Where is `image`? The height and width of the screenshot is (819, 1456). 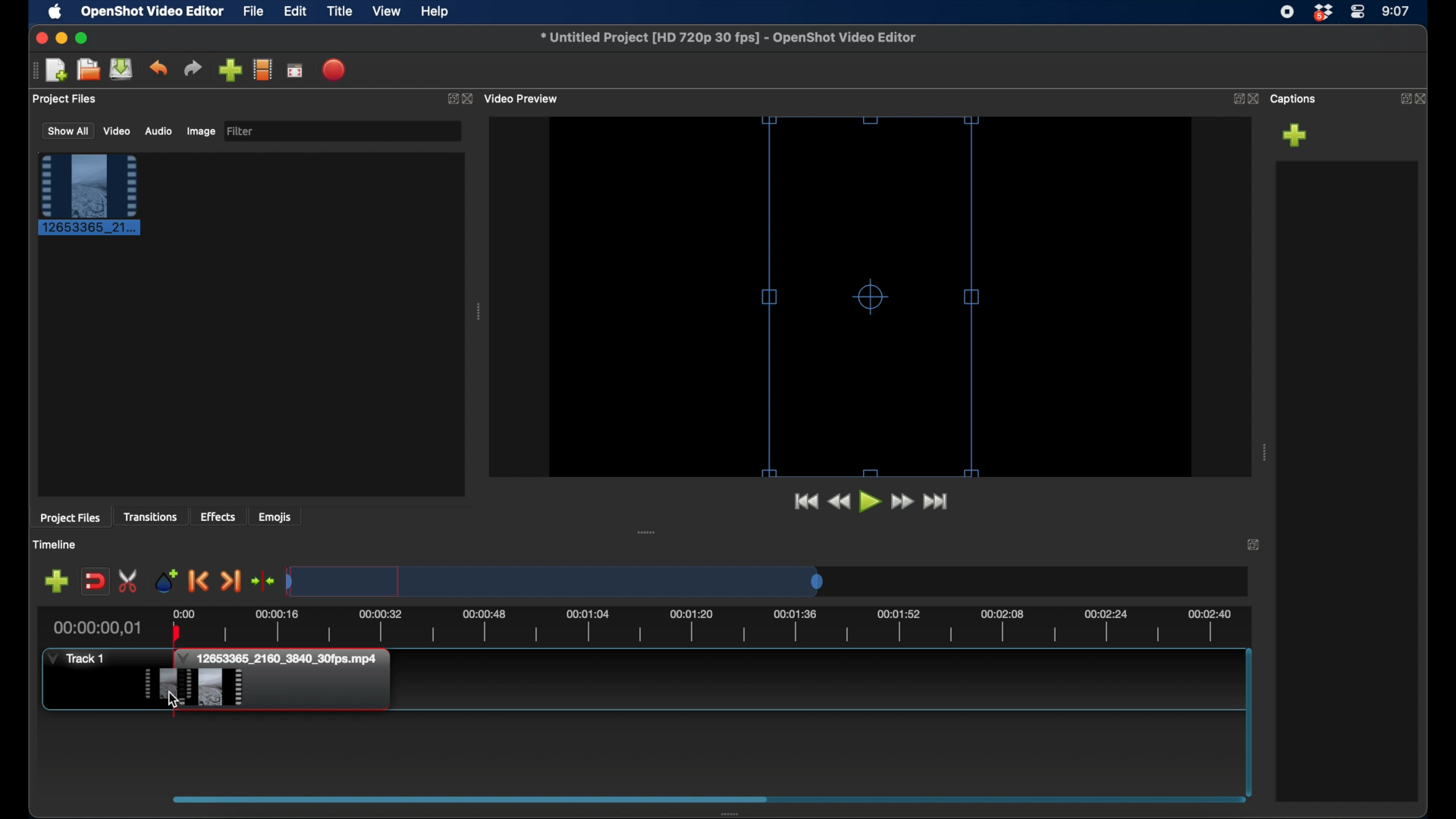
image is located at coordinates (200, 131).